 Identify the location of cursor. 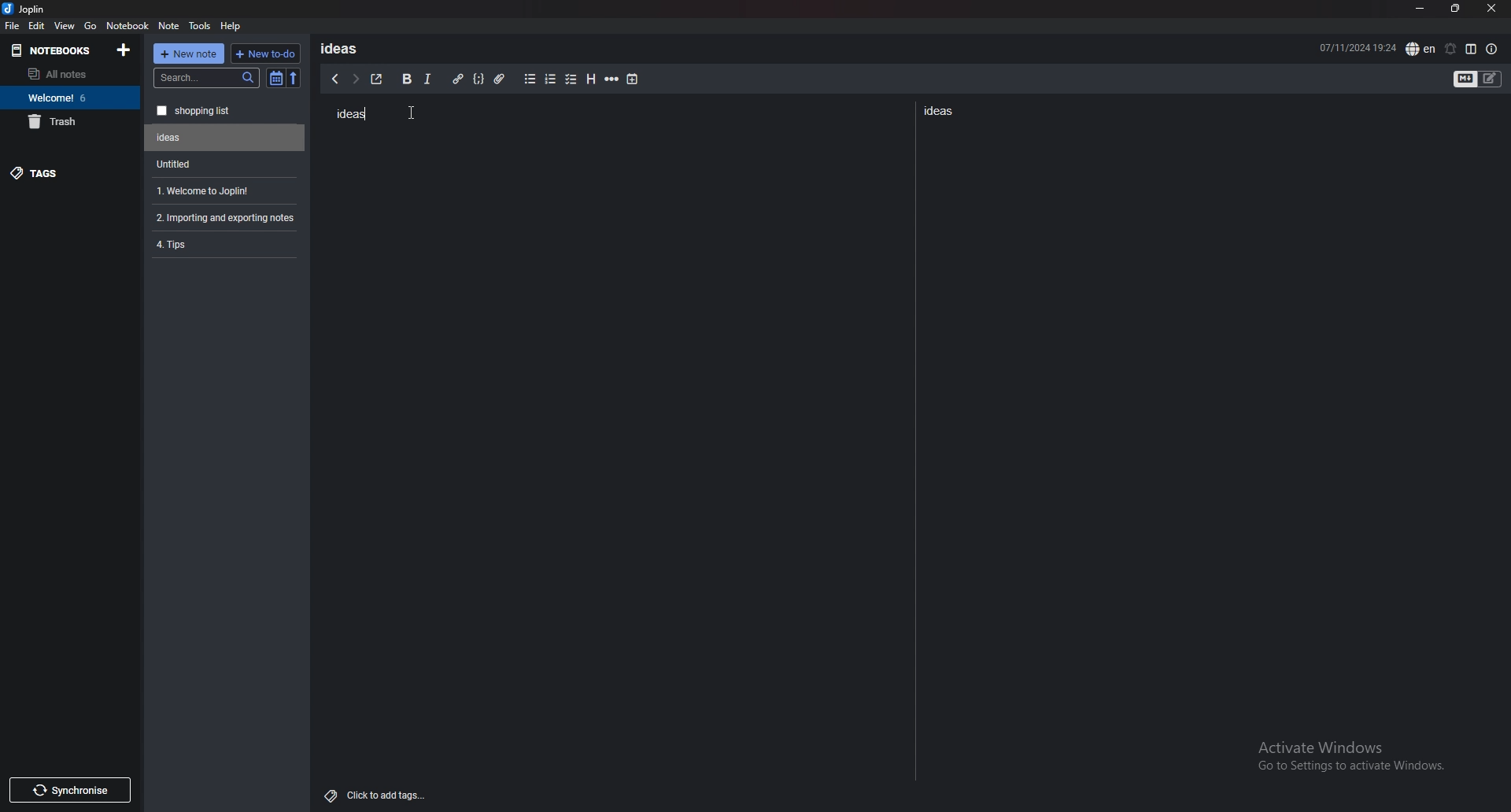
(418, 113).